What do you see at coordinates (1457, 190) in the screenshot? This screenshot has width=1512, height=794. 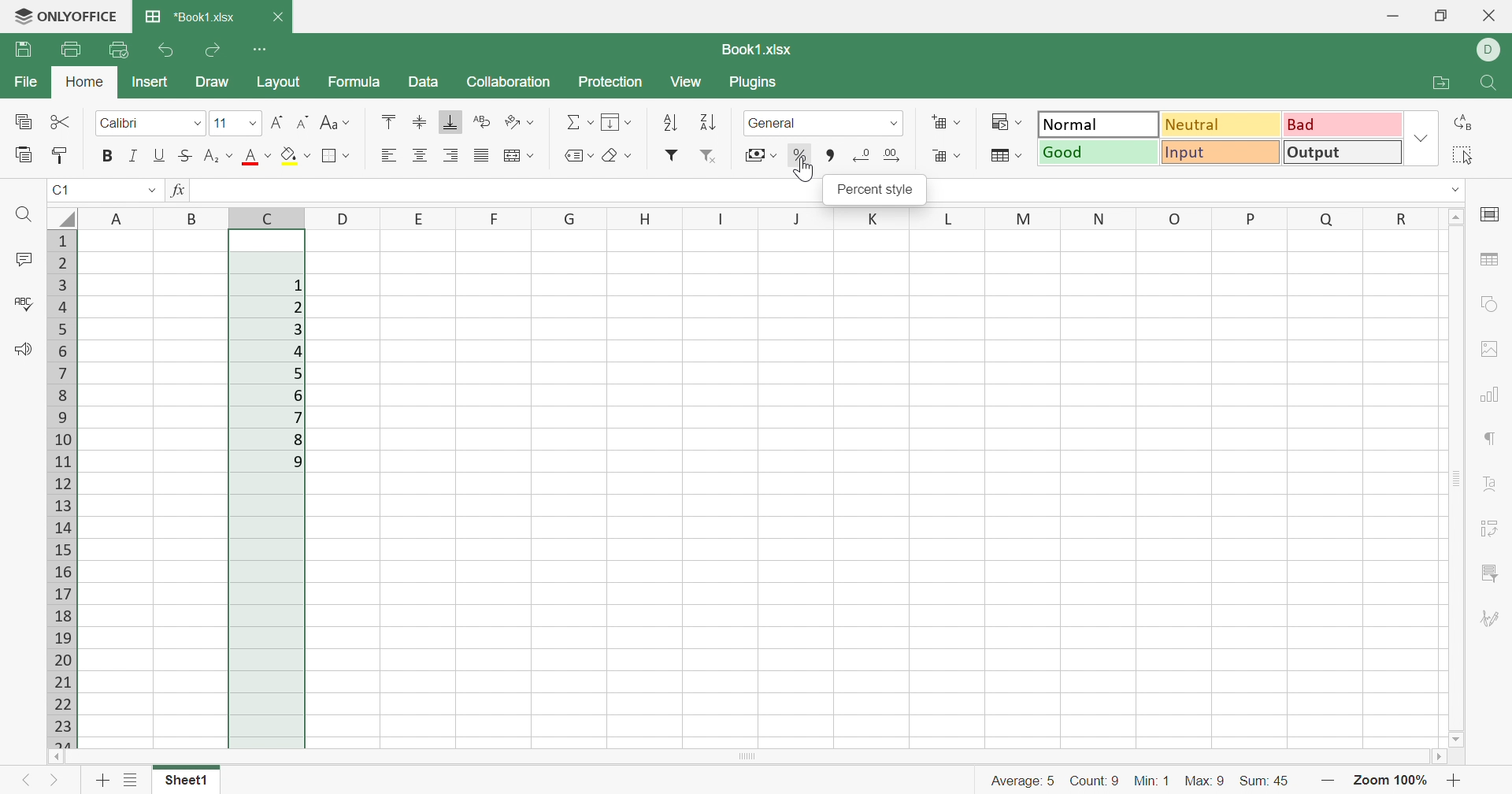 I see `Drop Down` at bounding box center [1457, 190].